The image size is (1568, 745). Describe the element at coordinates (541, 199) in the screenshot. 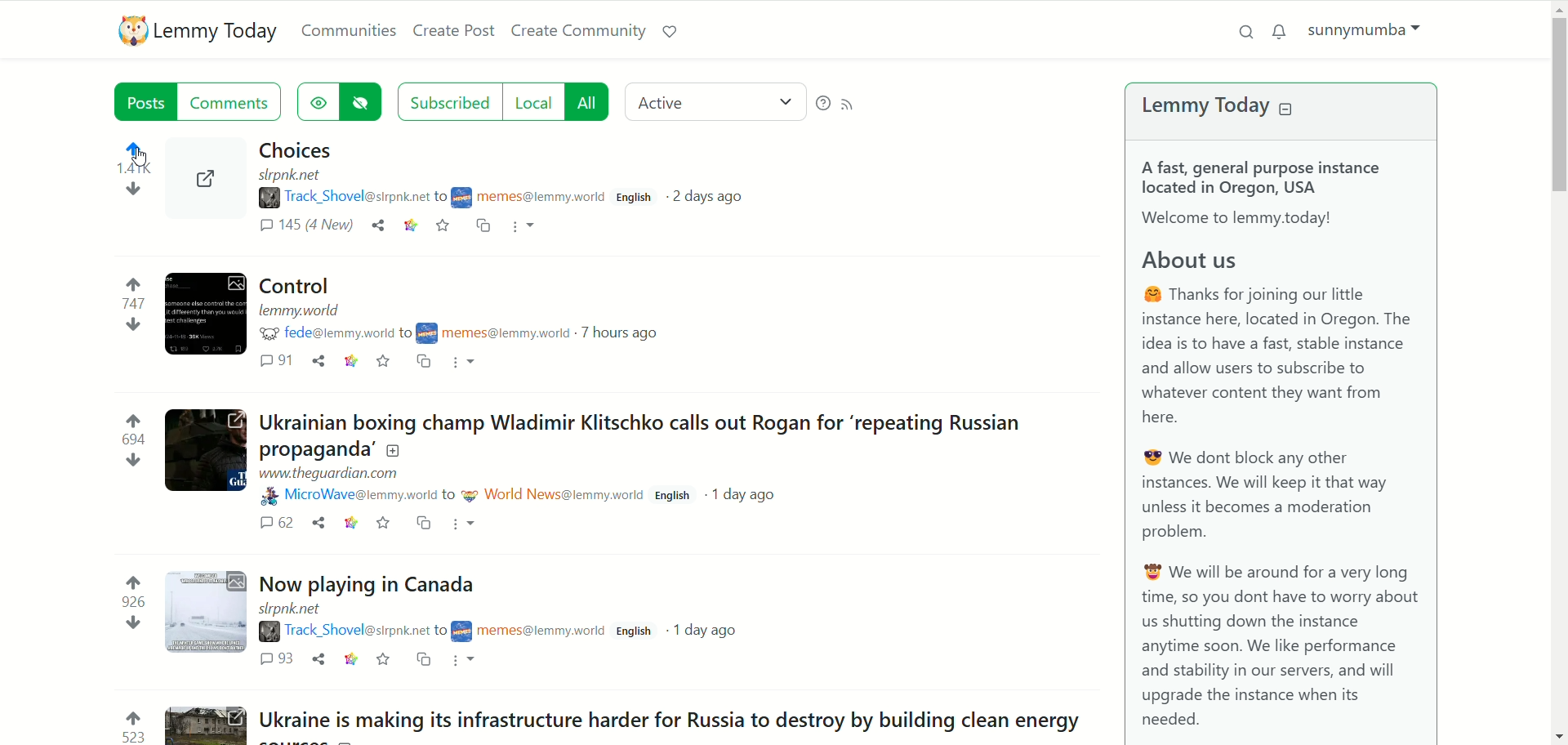

I see `username` at that location.